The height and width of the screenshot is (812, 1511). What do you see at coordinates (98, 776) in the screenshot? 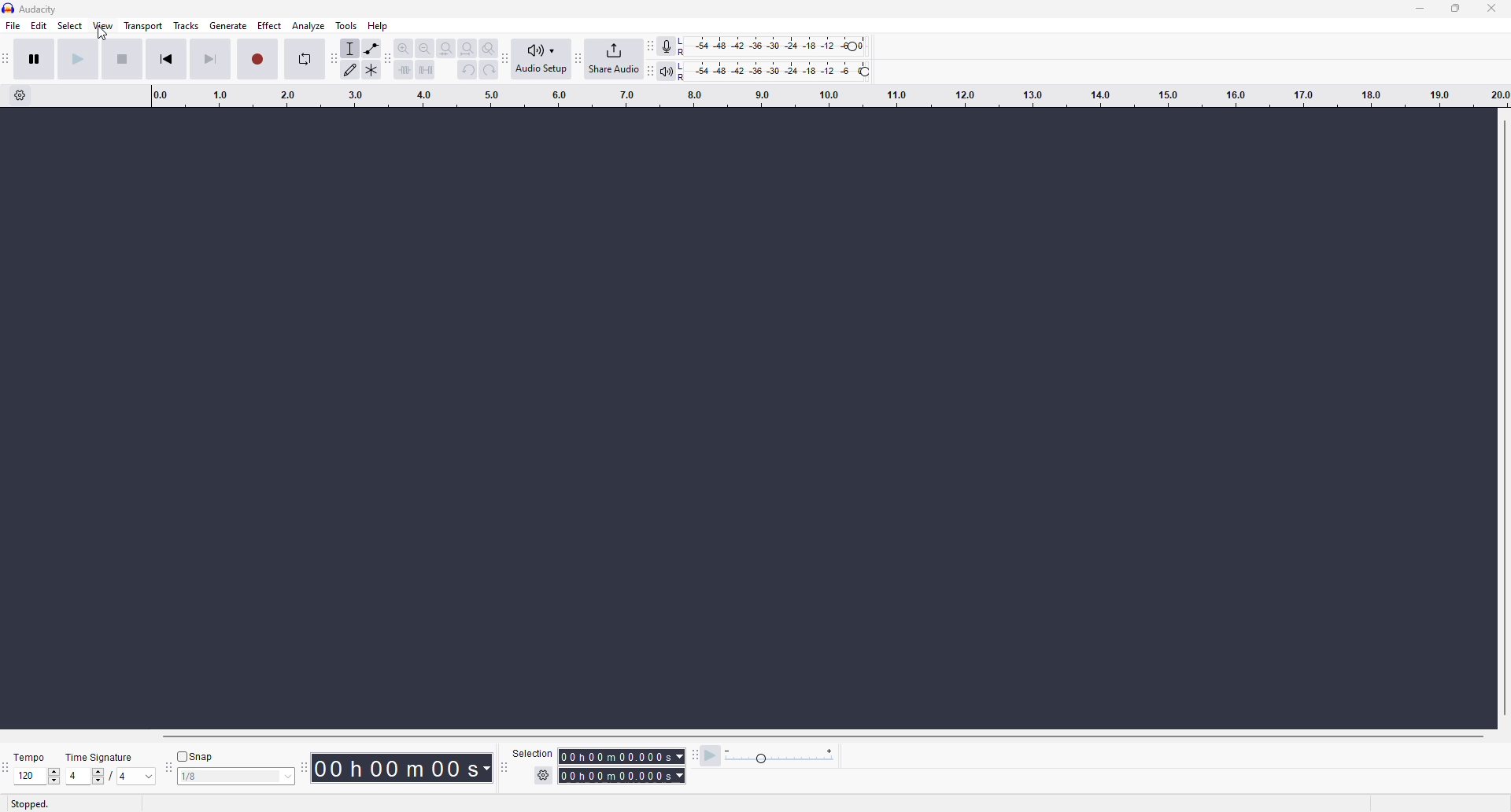
I see `values` at bounding box center [98, 776].